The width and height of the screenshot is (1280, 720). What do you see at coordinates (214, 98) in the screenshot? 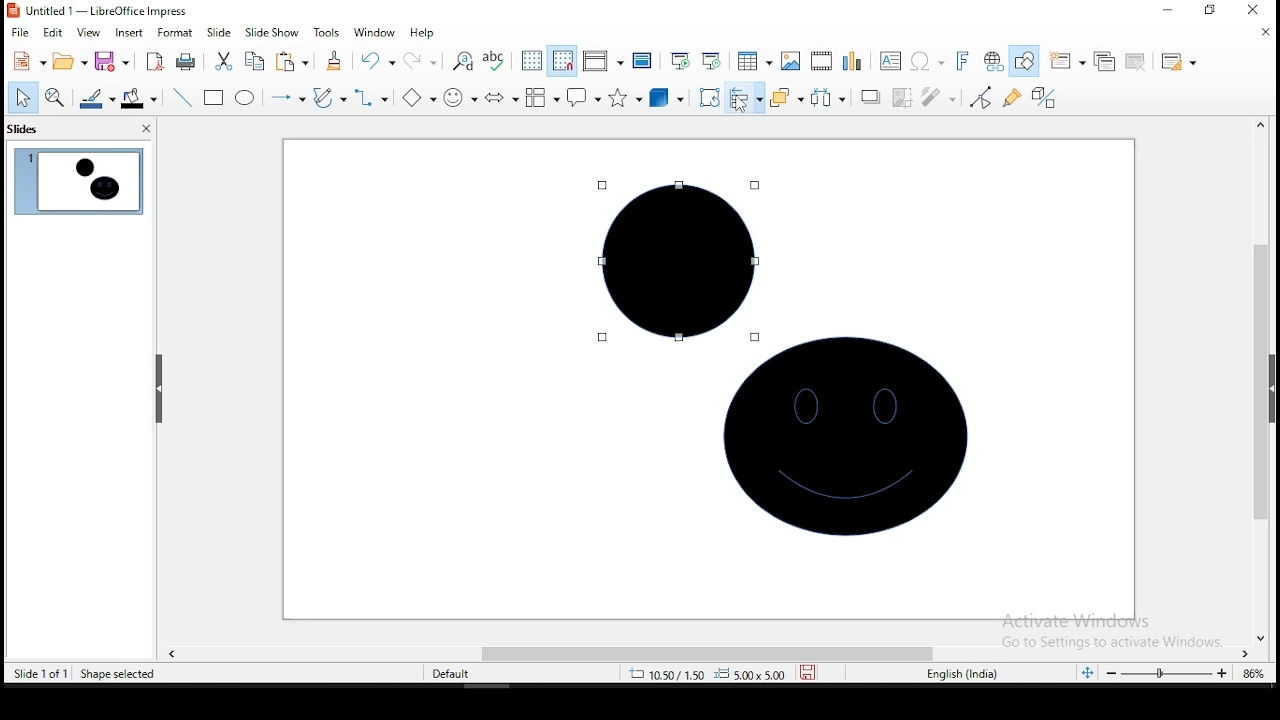
I see `rectangle tool` at bounding box center [214, 98].